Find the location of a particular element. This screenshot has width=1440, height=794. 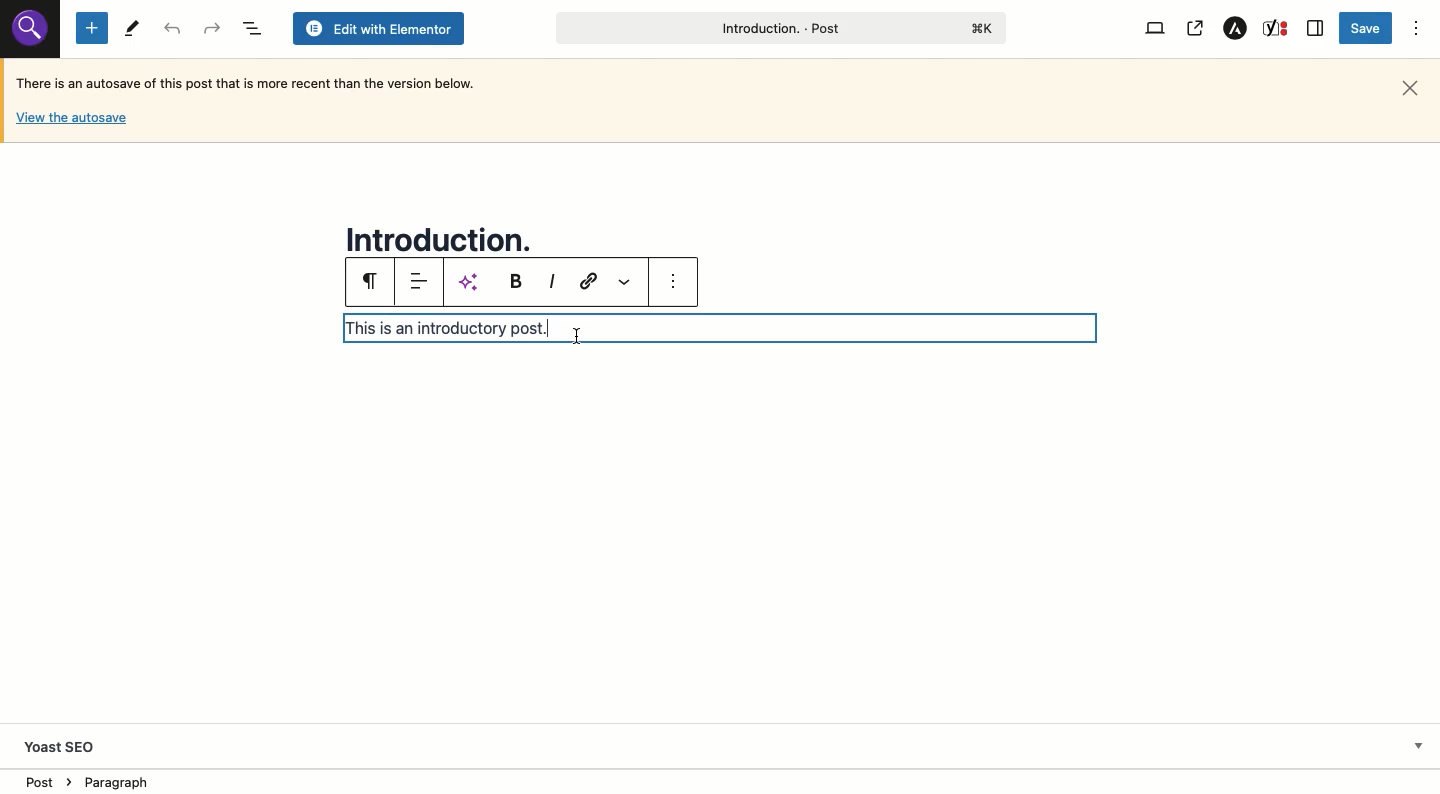

Title is located at coordinates (444, 238).